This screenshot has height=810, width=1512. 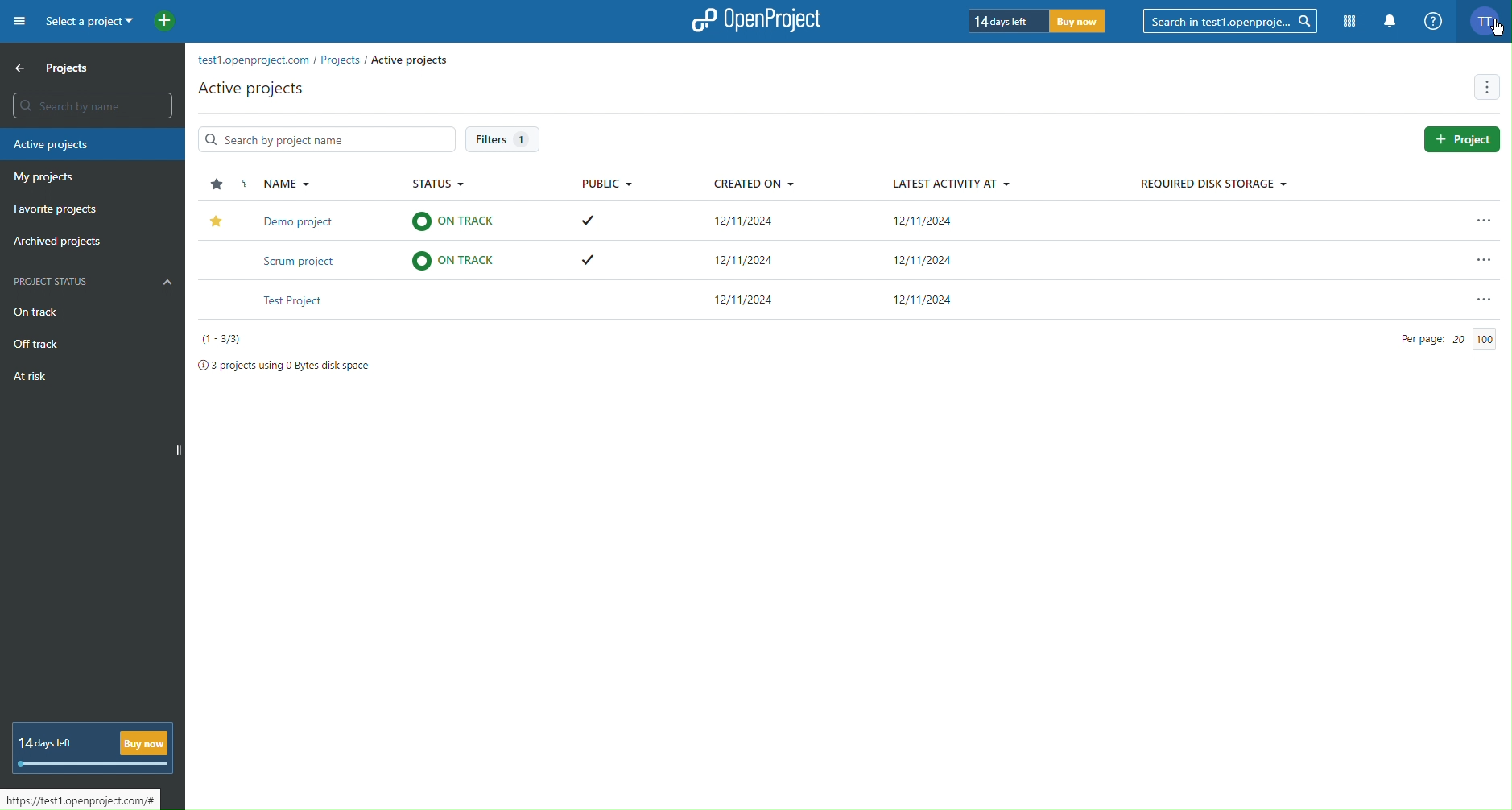 What do you see at coordinates (93, 106) in the screenshot?
I see `Search Bar` at bounding box center [93, 106].